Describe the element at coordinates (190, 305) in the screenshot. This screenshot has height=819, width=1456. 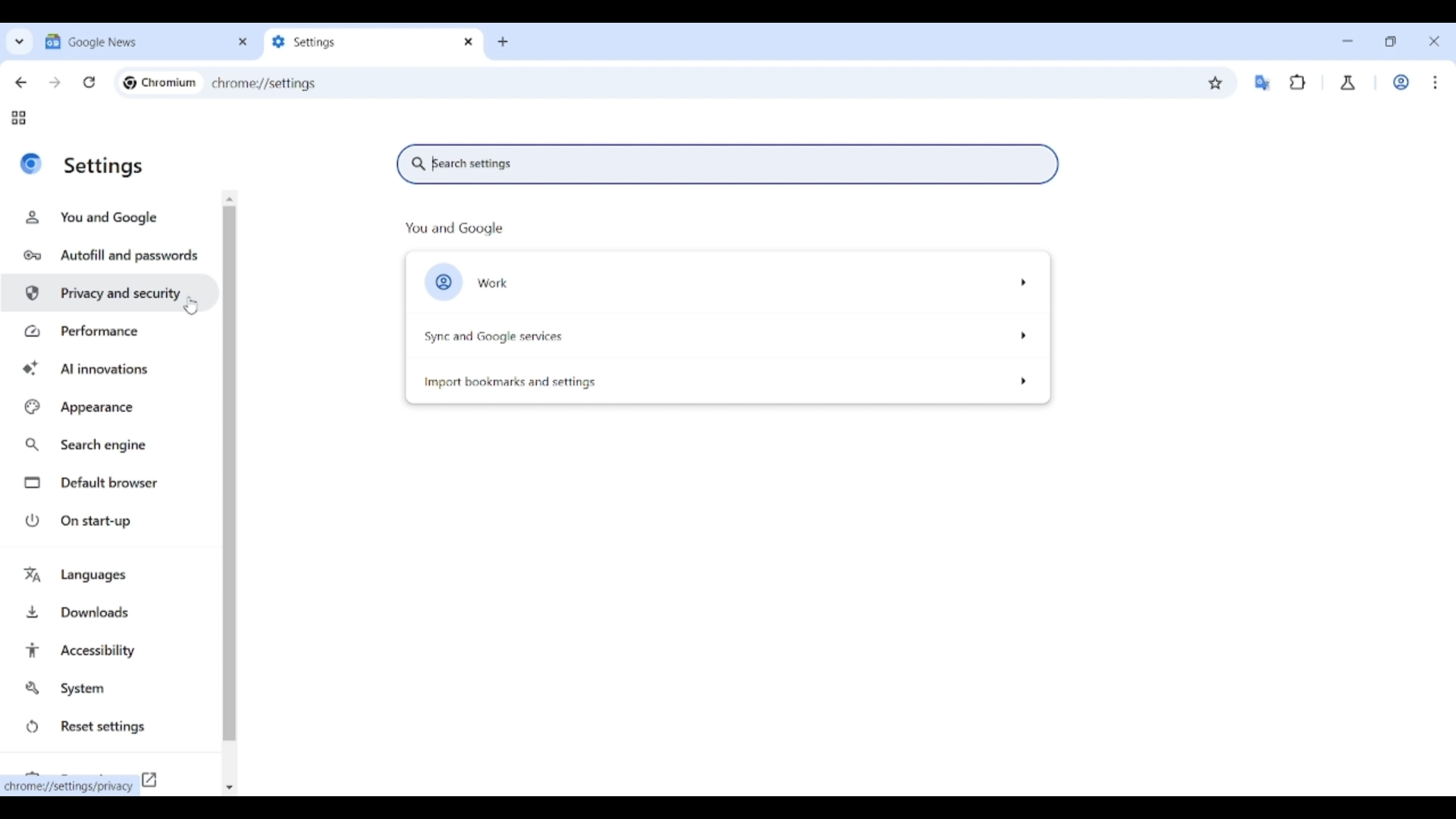
I see `Cursor clicking on privacy and autofill` at that location.